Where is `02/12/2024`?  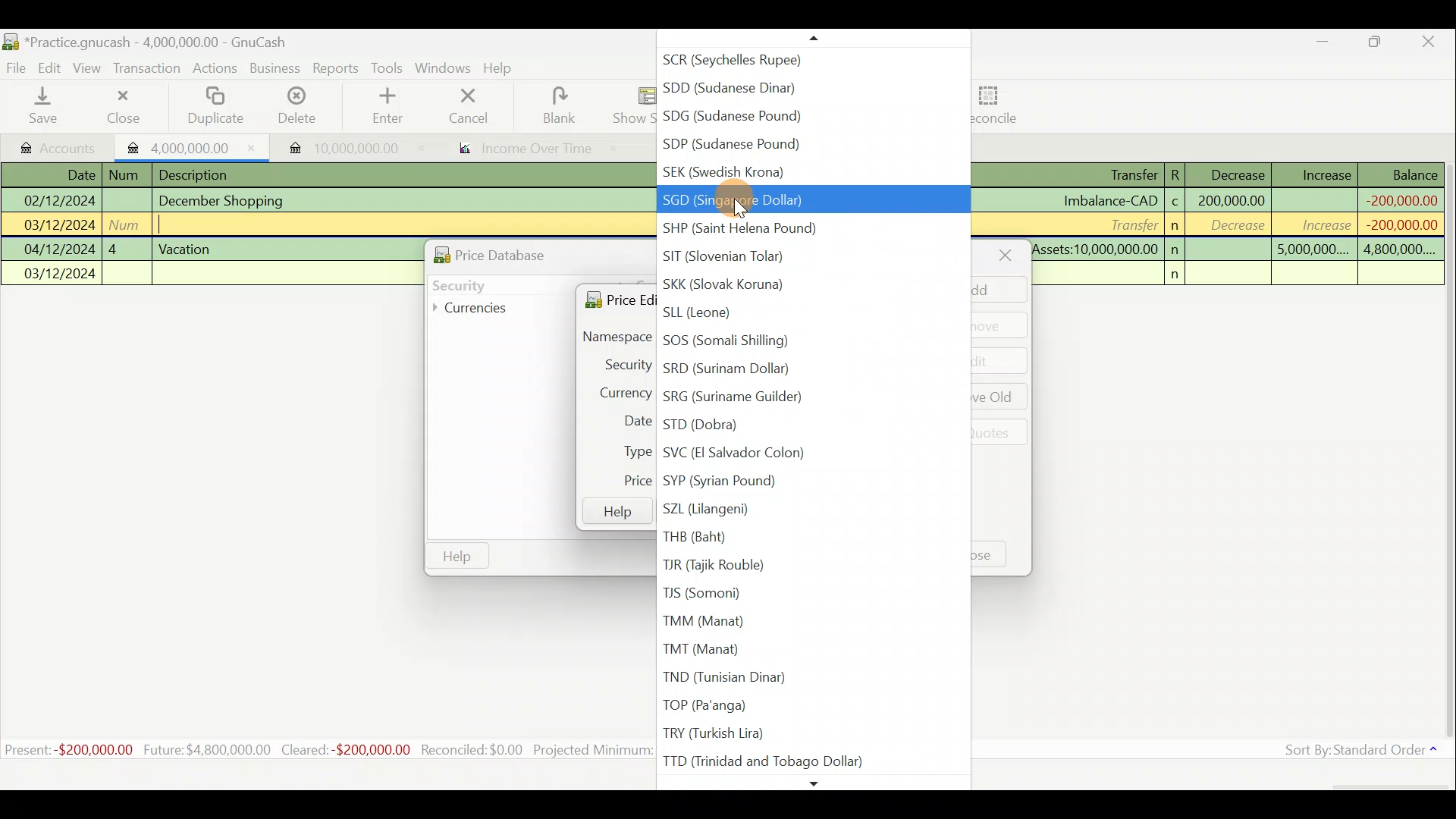 02/12/2024 is located at coordinates (58, 199).